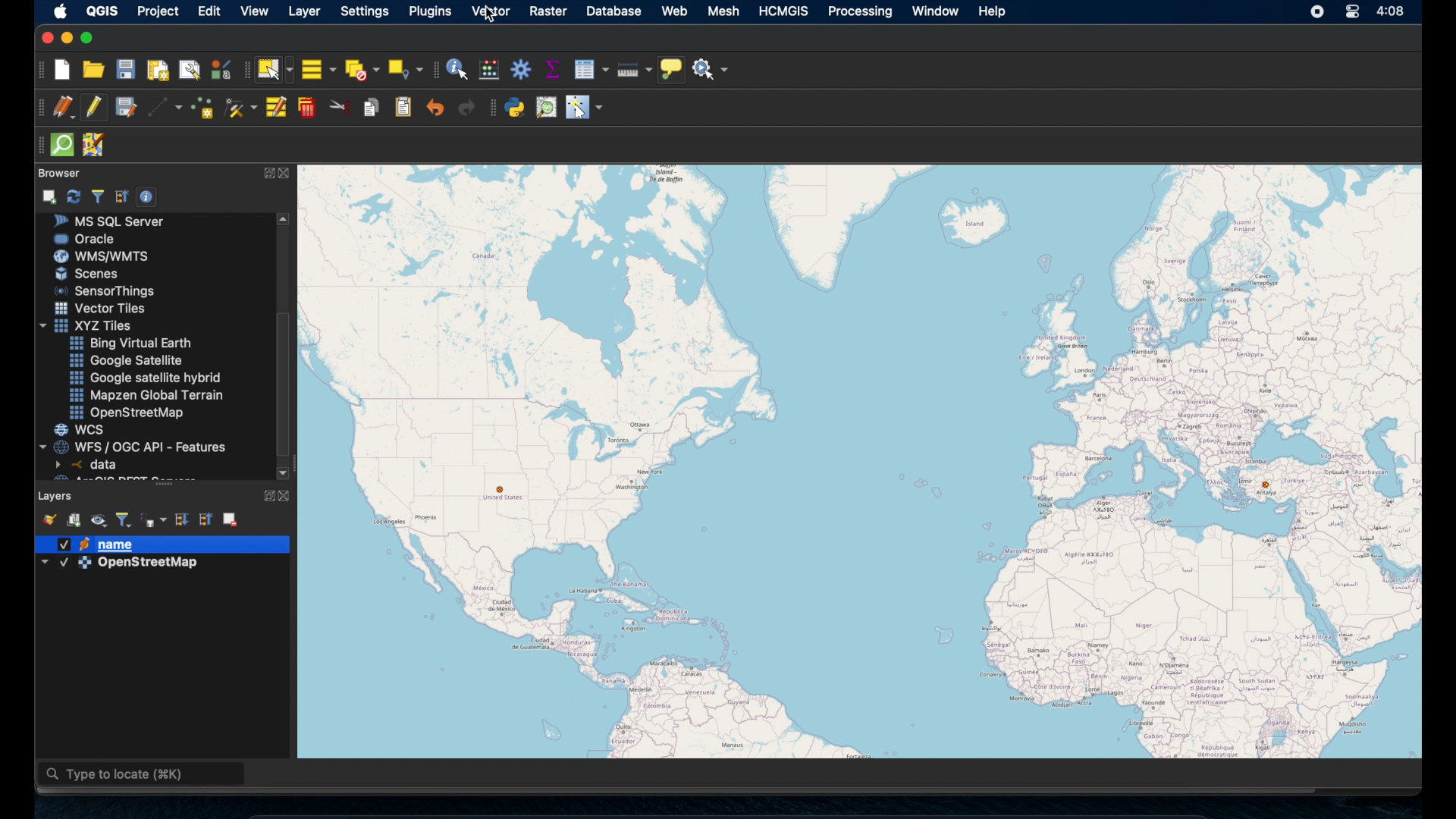 The height and width of the screenshot is (819, 1456). What do you see at coordinates (1349, 11) in the screenshot?
I see `control center` at bounding box center [1349, 11].